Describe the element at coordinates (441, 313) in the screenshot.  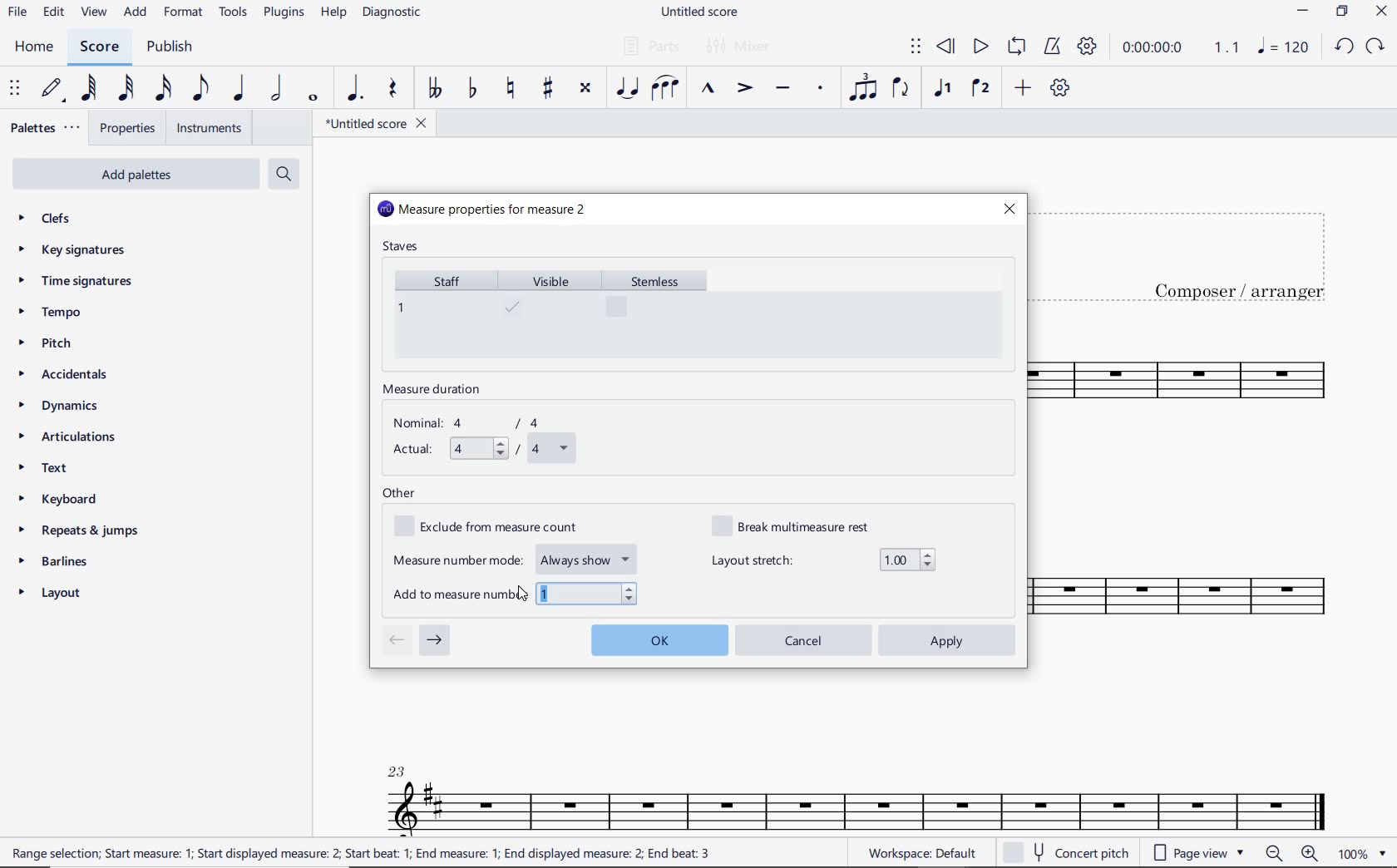
I see `staff` at that location.